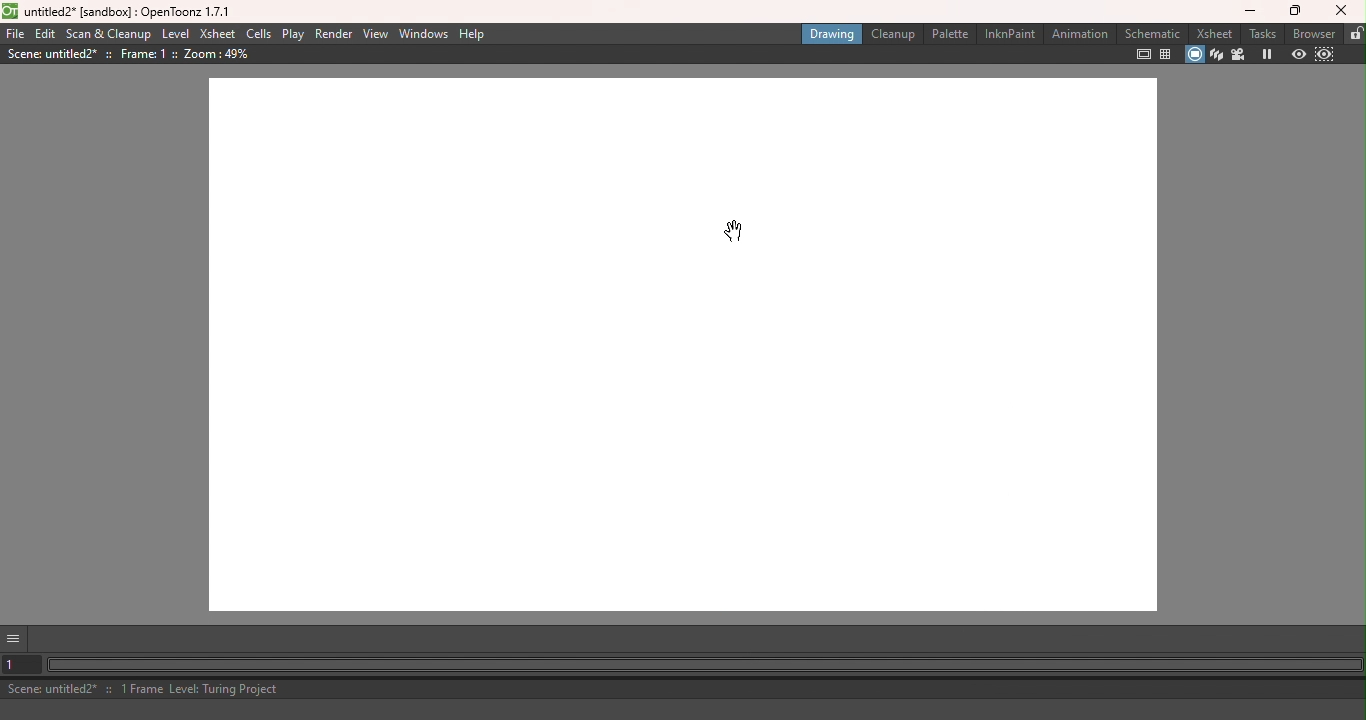 This screenshot has height=720, width=1366. I want to click on Scan & Cleanup, so click(108, 35).